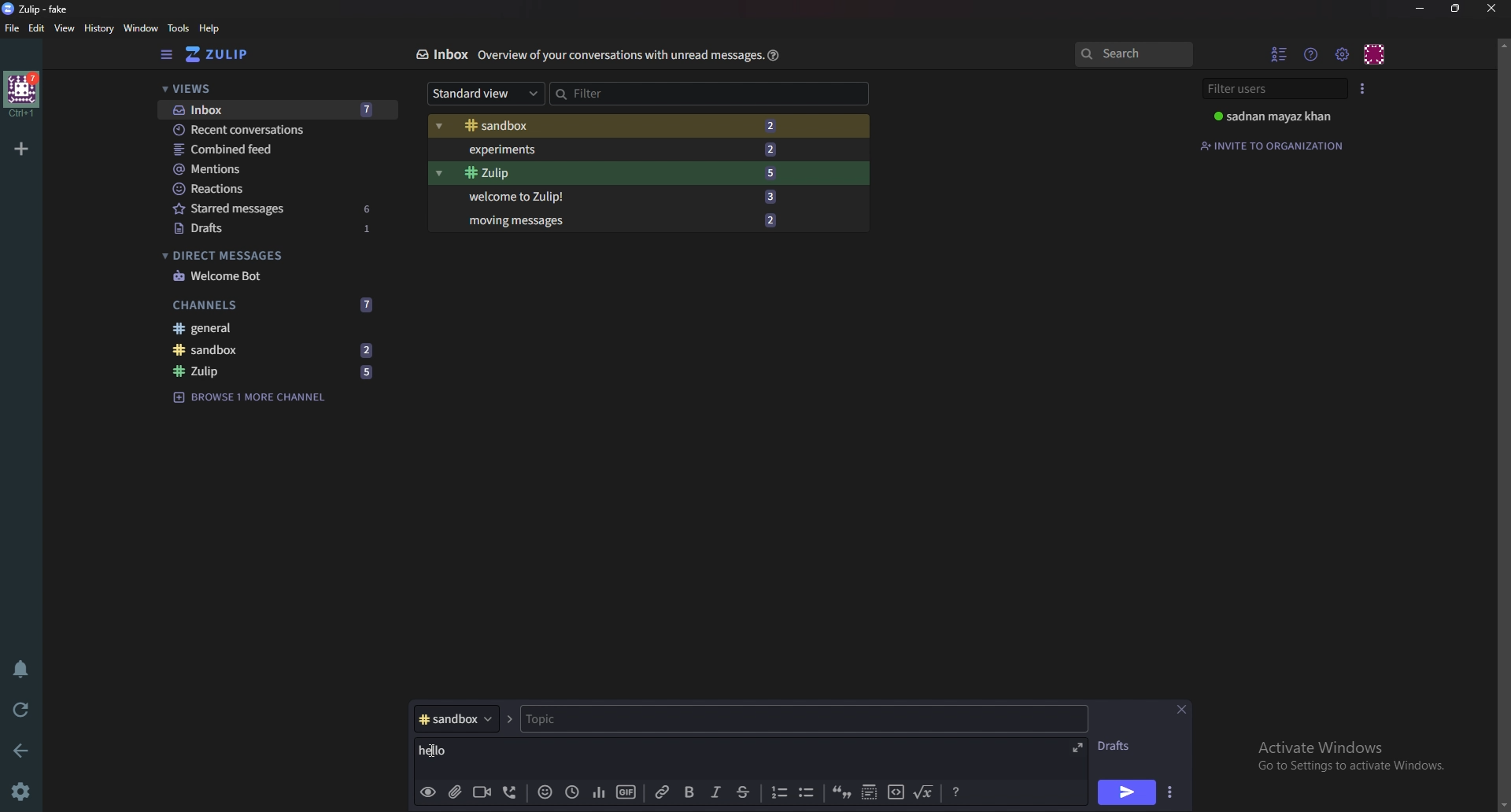  What do you see at coordinates (1278, 89) in the screenshot?
I see `Filter users` at bounding box center [1278, 89].